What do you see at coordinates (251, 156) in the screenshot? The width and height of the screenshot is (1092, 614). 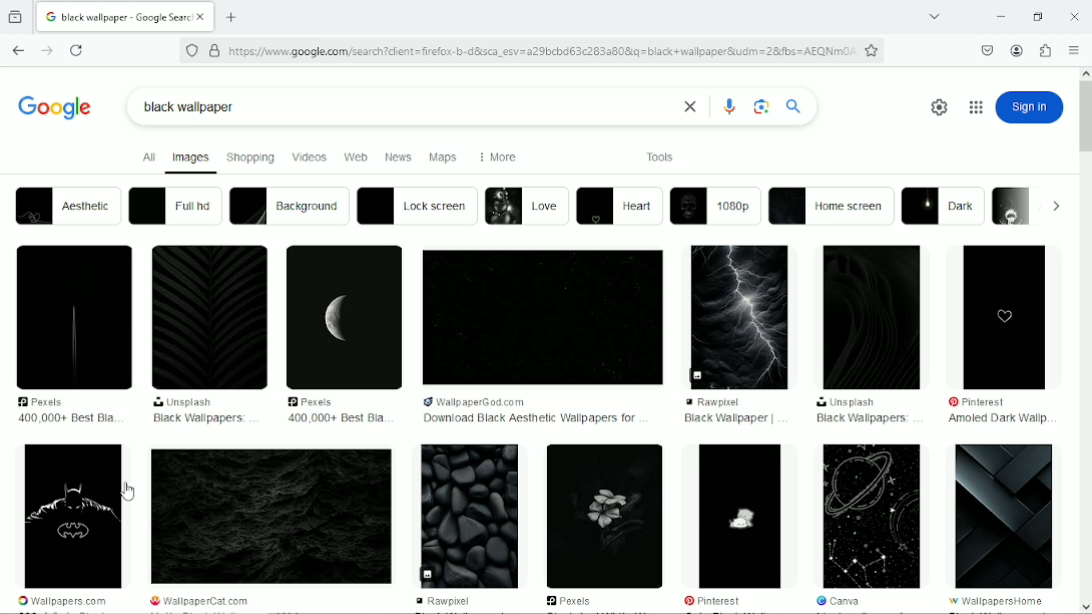 I see `shopping` at bounding box center [251, 156].